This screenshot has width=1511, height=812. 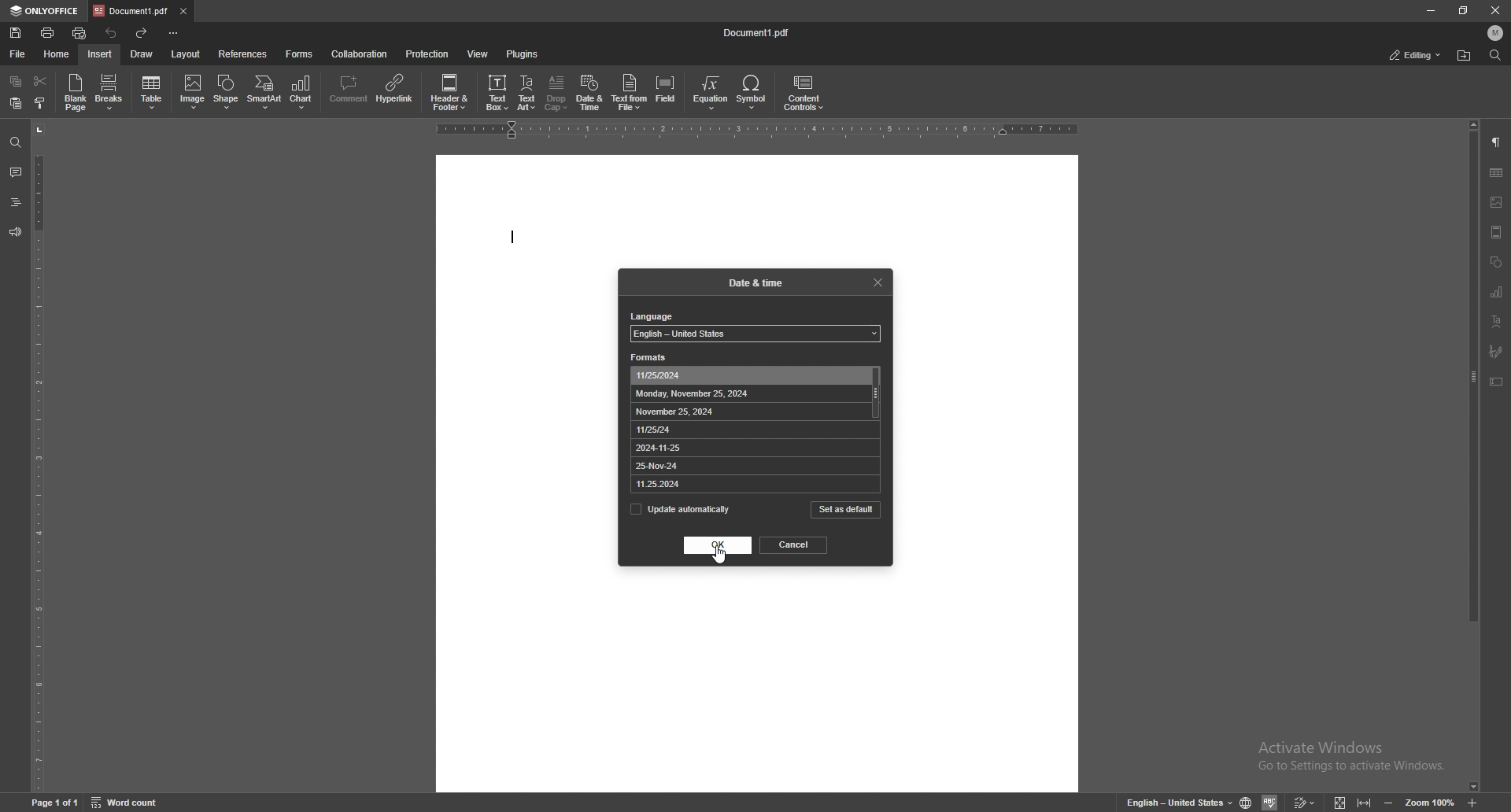 What do you see at coordinates (359, 54) in the screenshot?
I see `collaboration` at bounding box center [359, 54].